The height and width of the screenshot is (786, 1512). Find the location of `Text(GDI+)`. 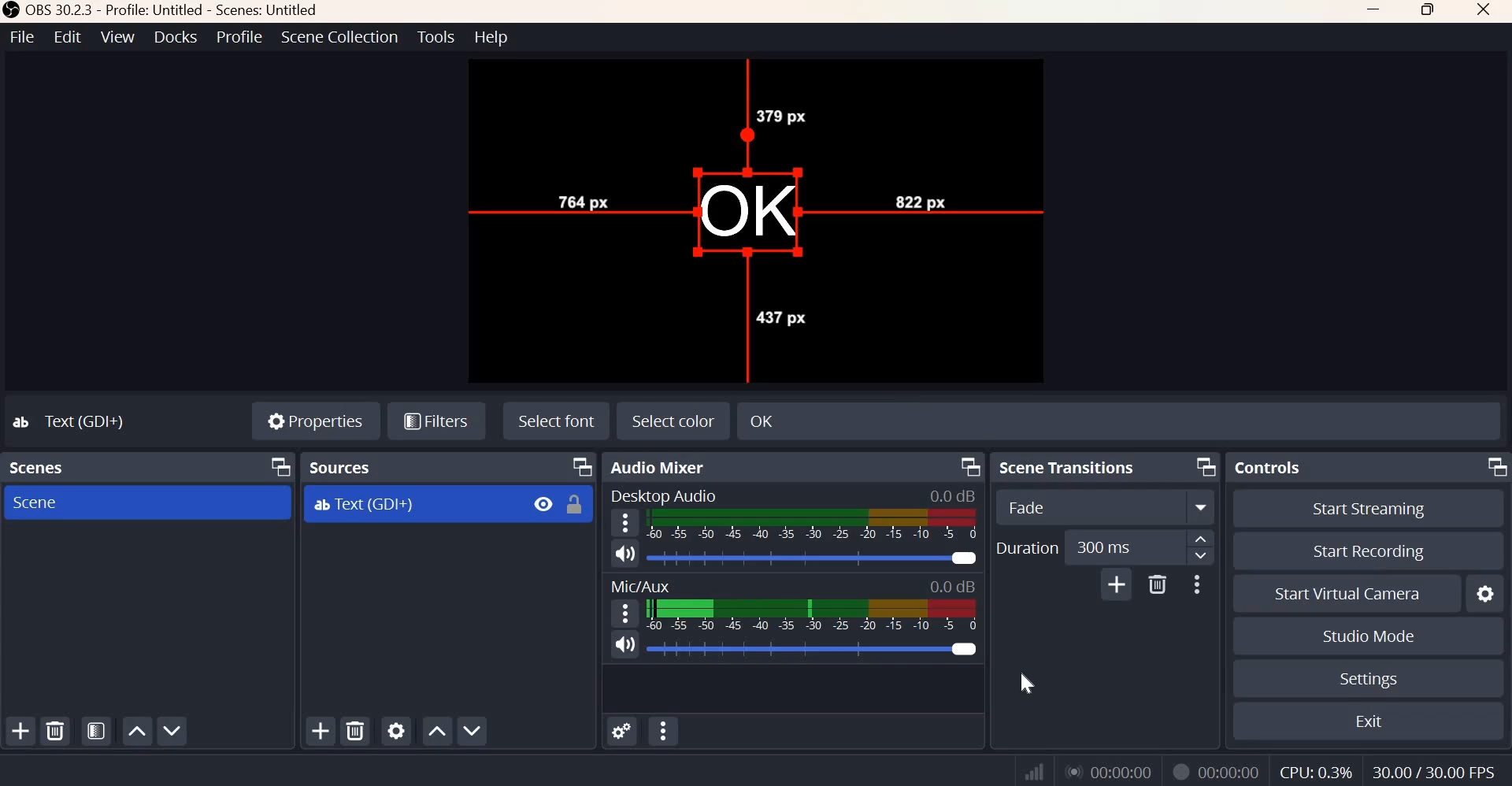

Text(GDI+) is located at coordinates (72, 421).